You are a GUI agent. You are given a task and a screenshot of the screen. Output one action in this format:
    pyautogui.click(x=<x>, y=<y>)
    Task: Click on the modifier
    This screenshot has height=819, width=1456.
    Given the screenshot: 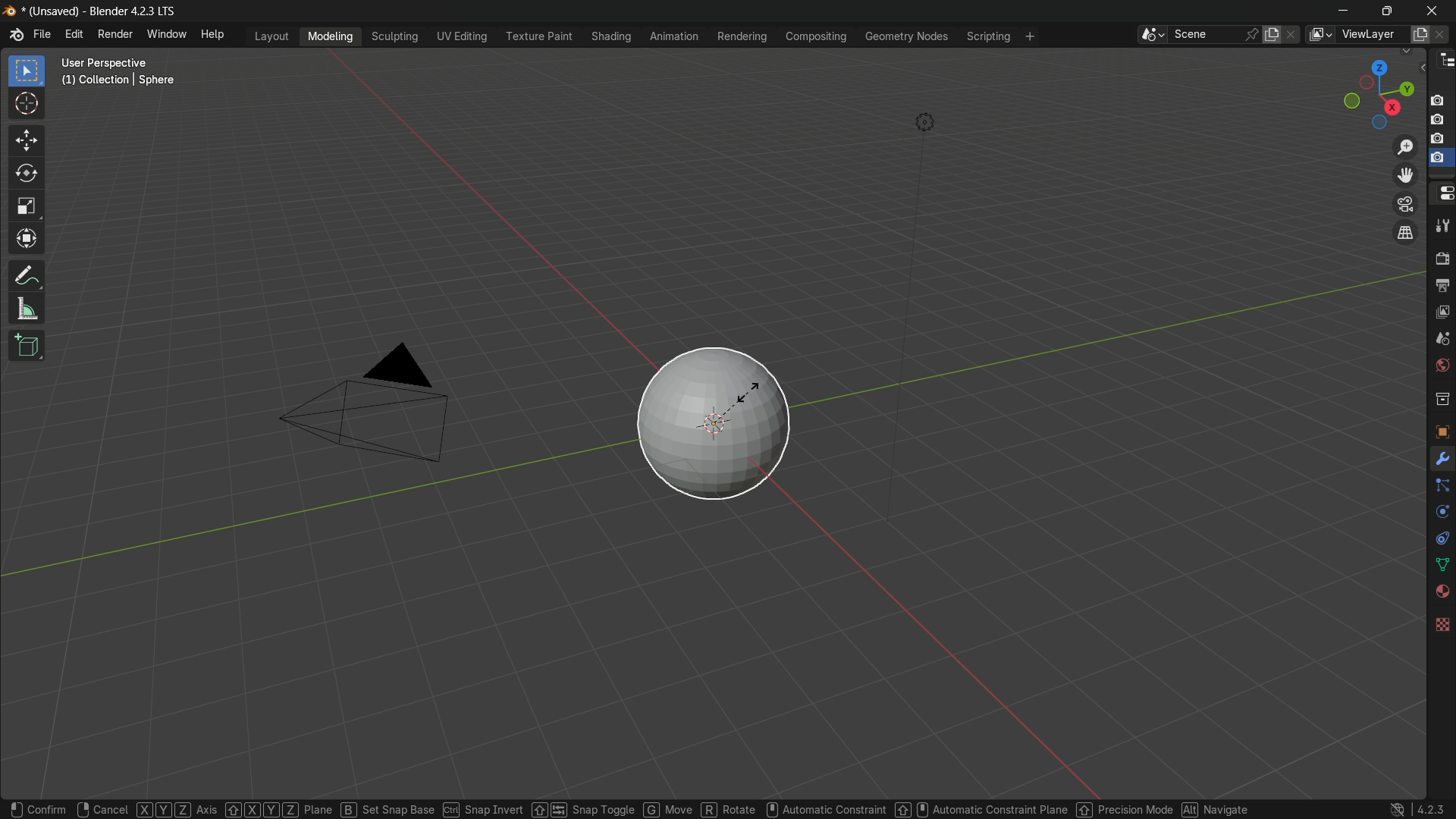 What is the action you would take?
    pyautogui.click(x=1442, y=460)
    